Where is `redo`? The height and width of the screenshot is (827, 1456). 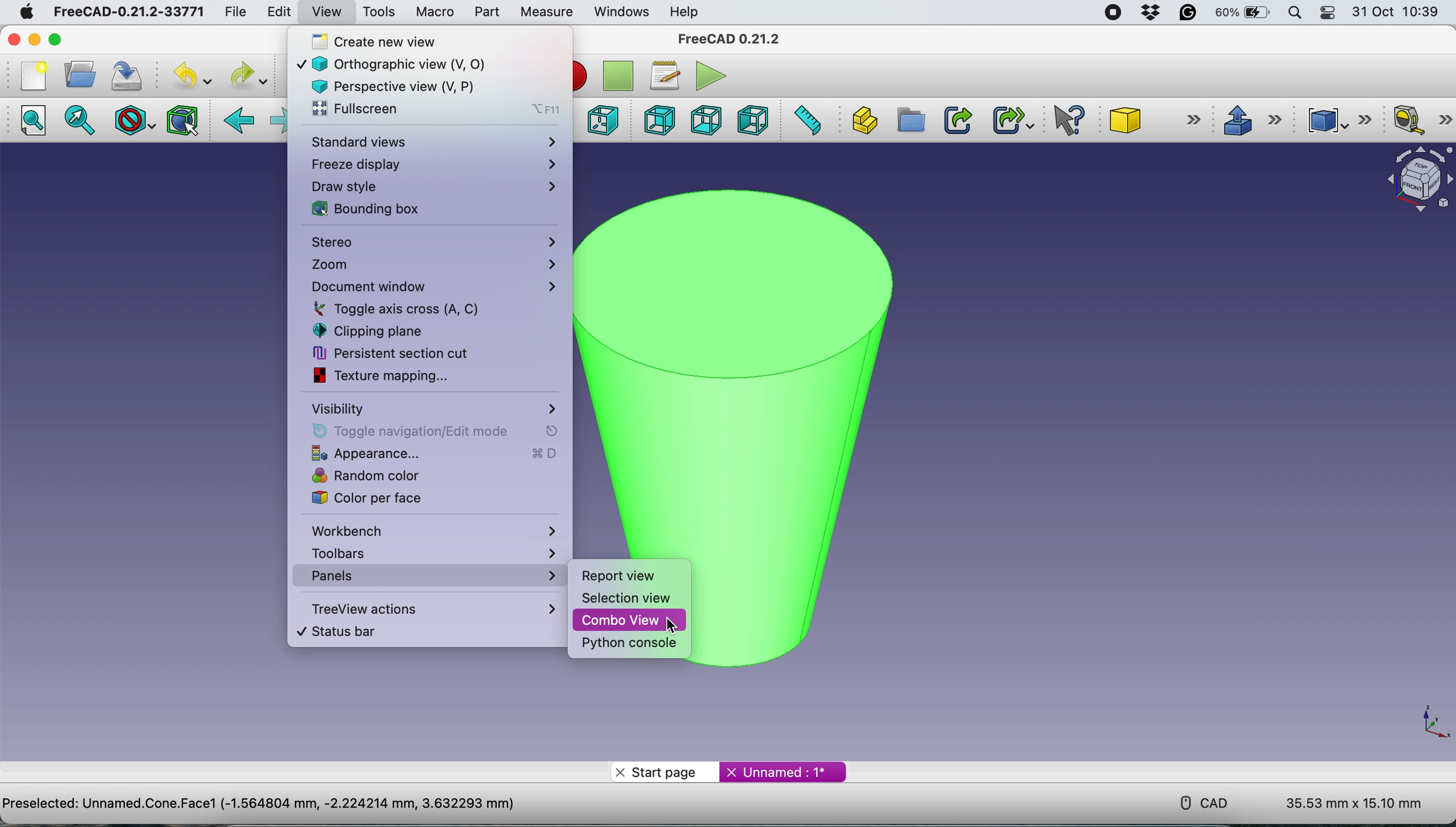
redo is located at coordinates (247, 75).